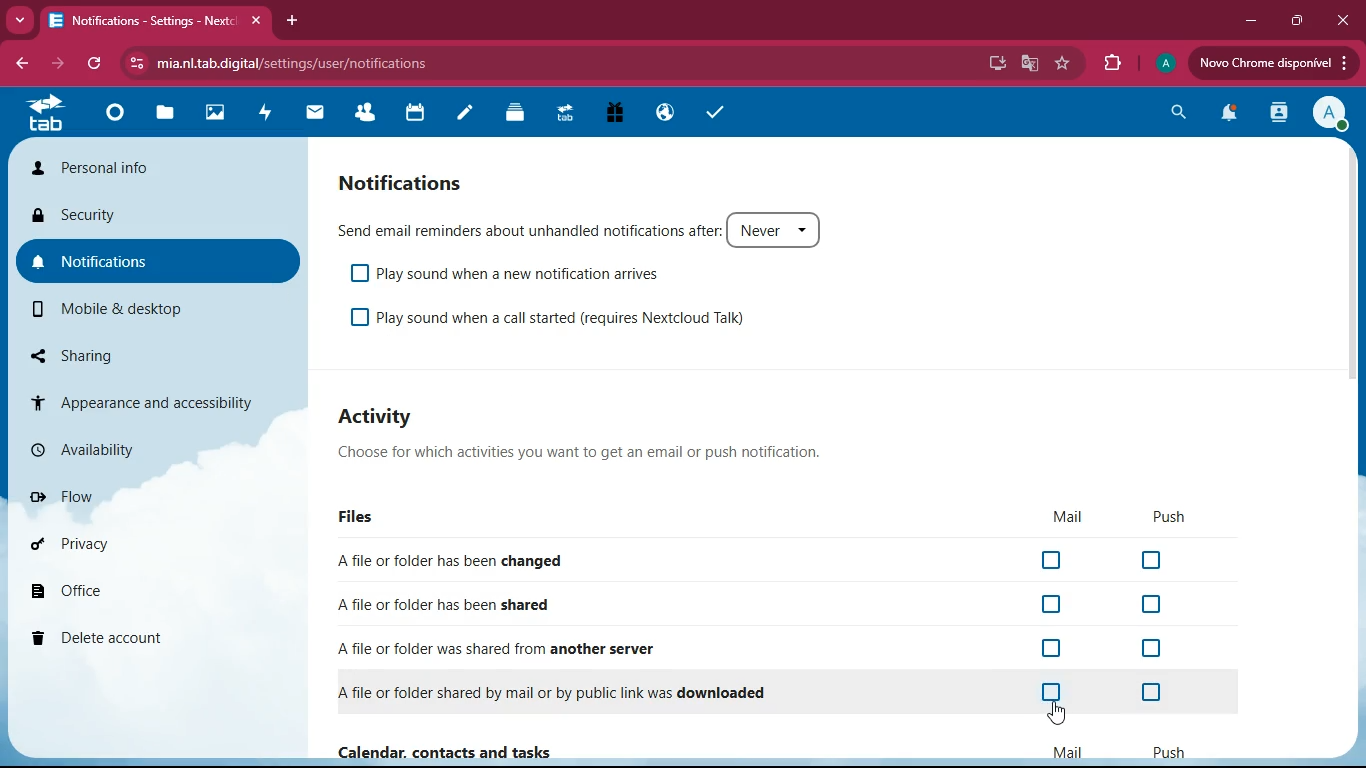  I want to click on files, so click(361, 517).